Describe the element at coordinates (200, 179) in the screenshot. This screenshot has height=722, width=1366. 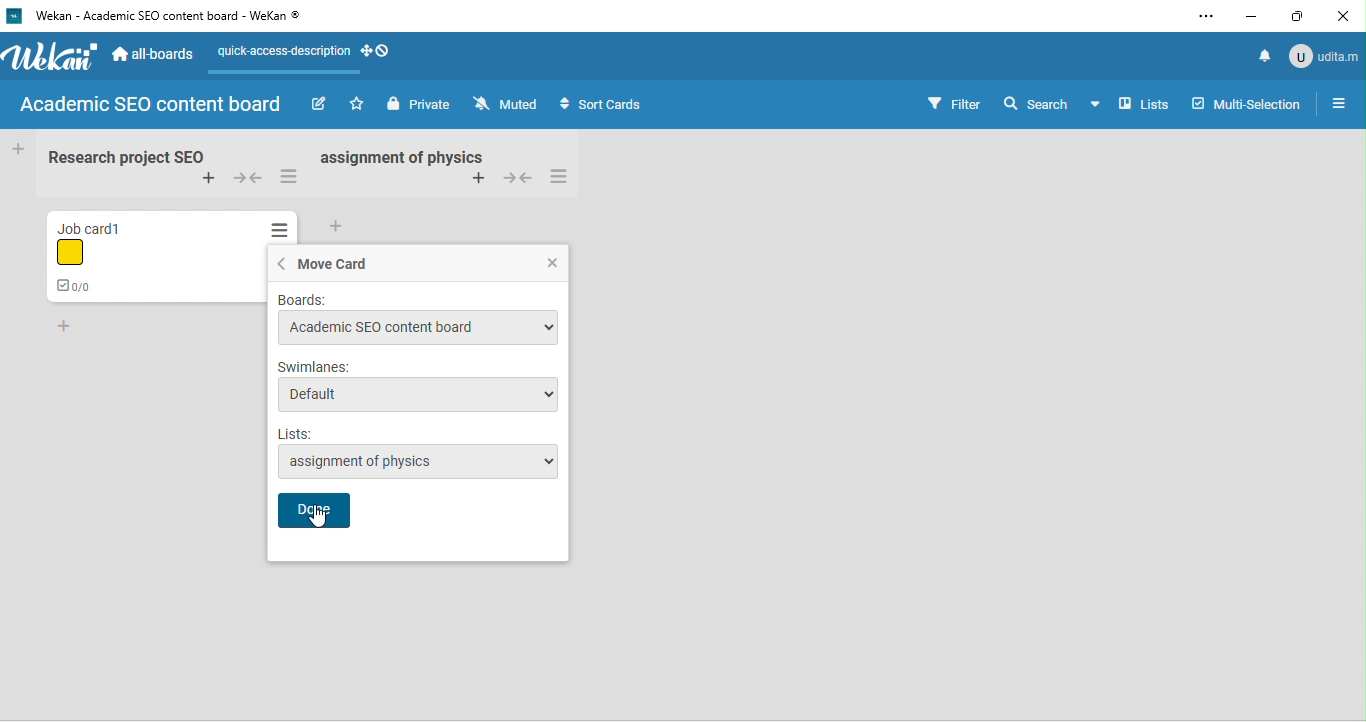
I see `add card` at that location.